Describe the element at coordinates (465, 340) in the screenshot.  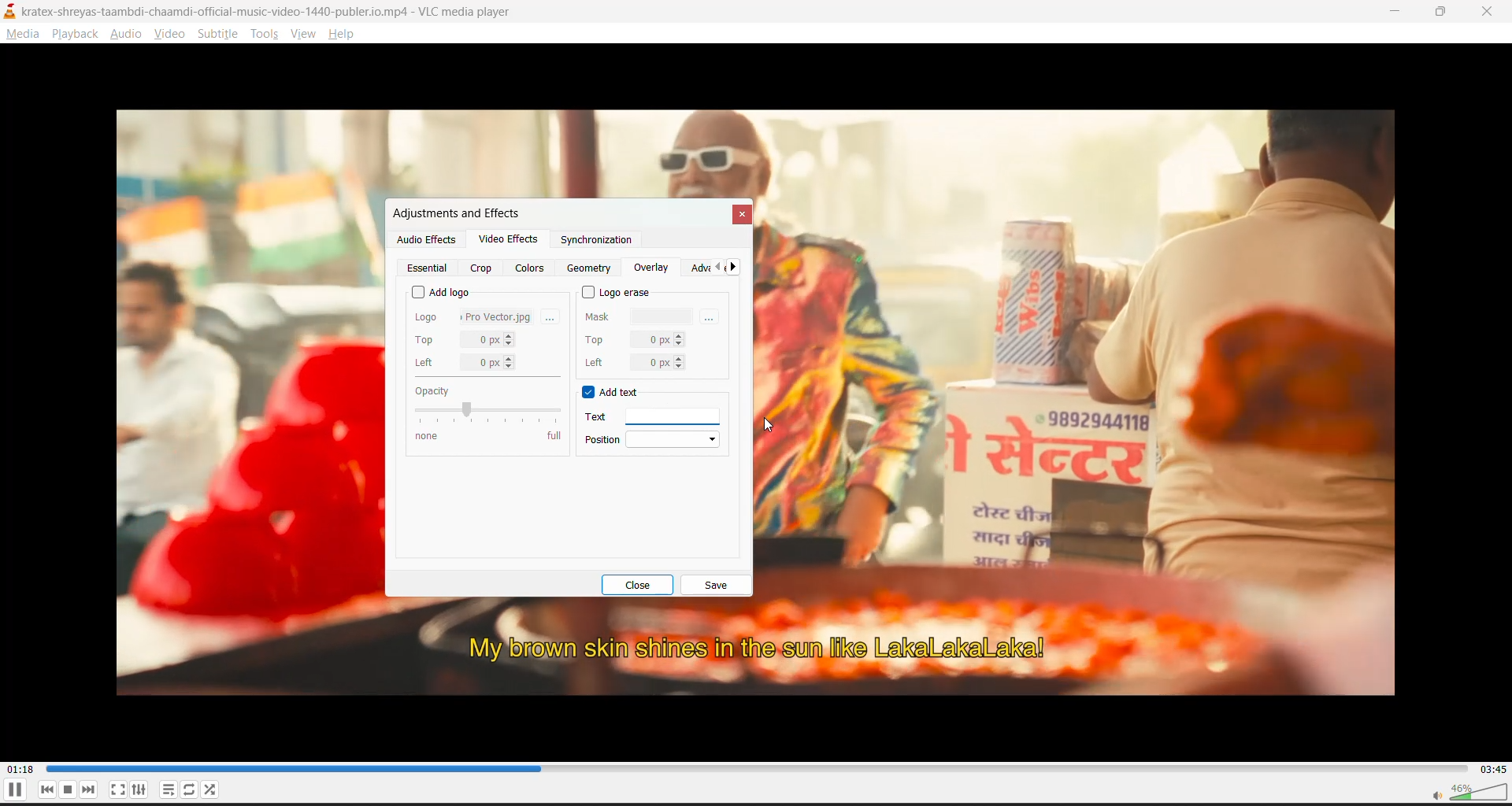
I see `top` at that location.